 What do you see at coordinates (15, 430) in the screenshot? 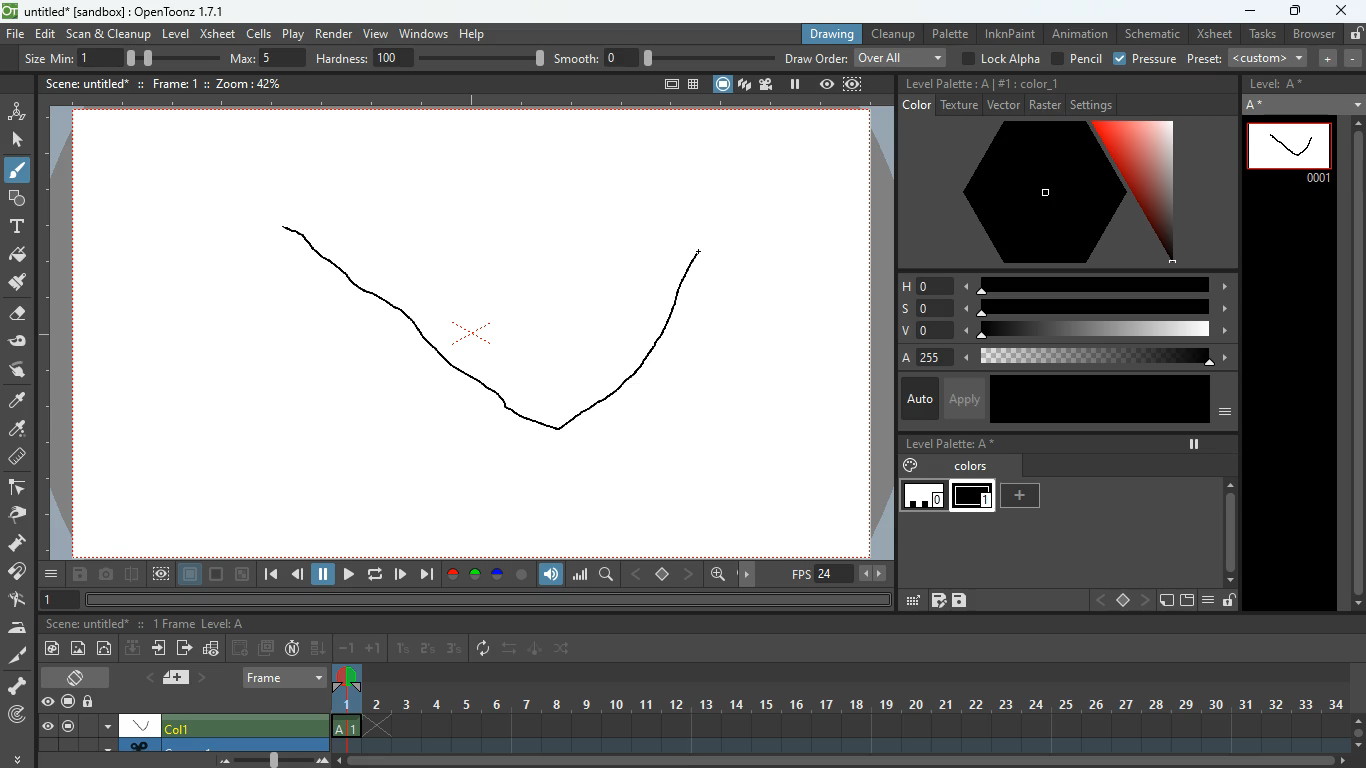
I see `paint` at bounding box center [15, 430].